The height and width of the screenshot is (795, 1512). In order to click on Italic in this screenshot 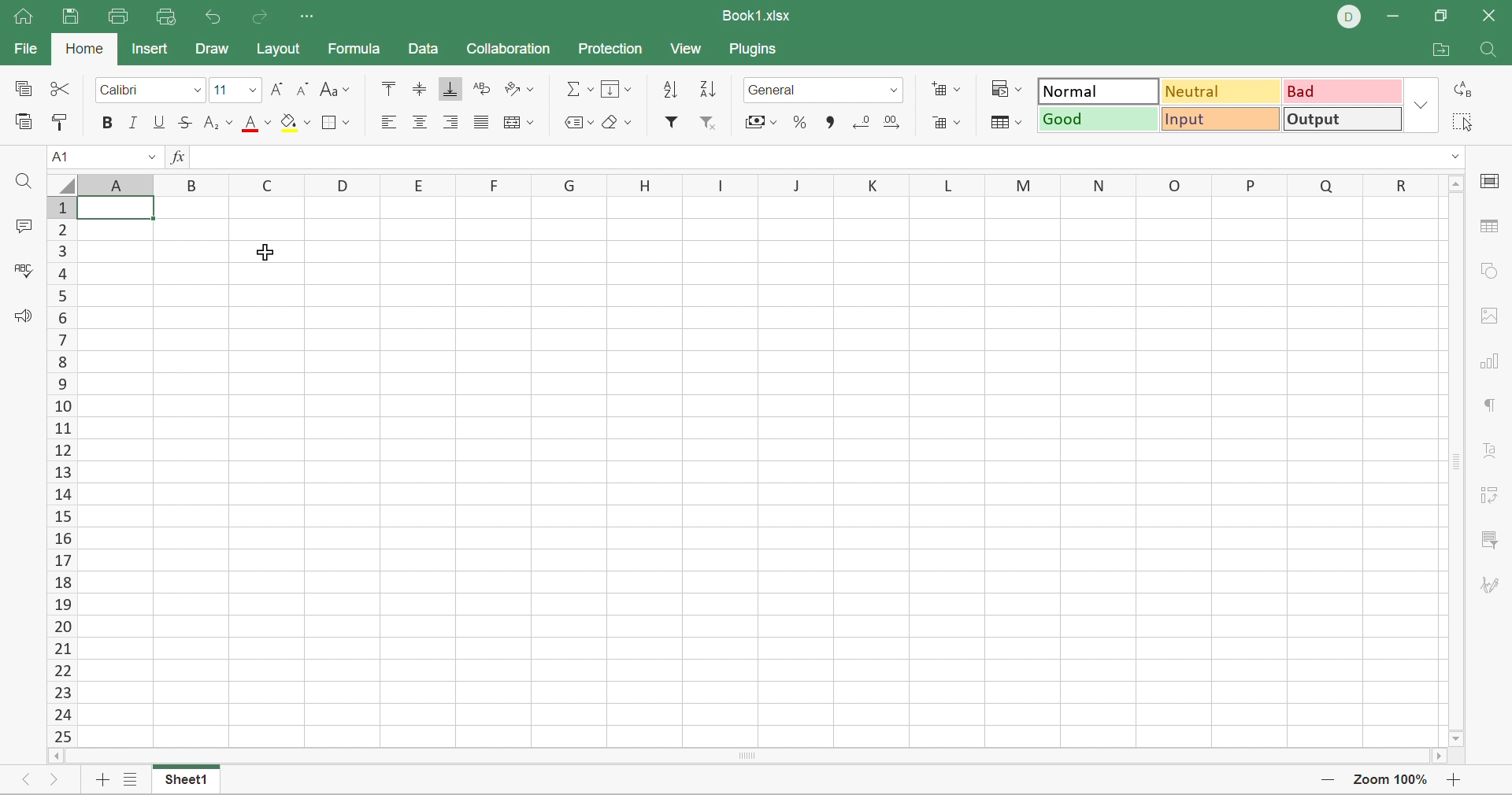, I will do `click(133, 124)`.